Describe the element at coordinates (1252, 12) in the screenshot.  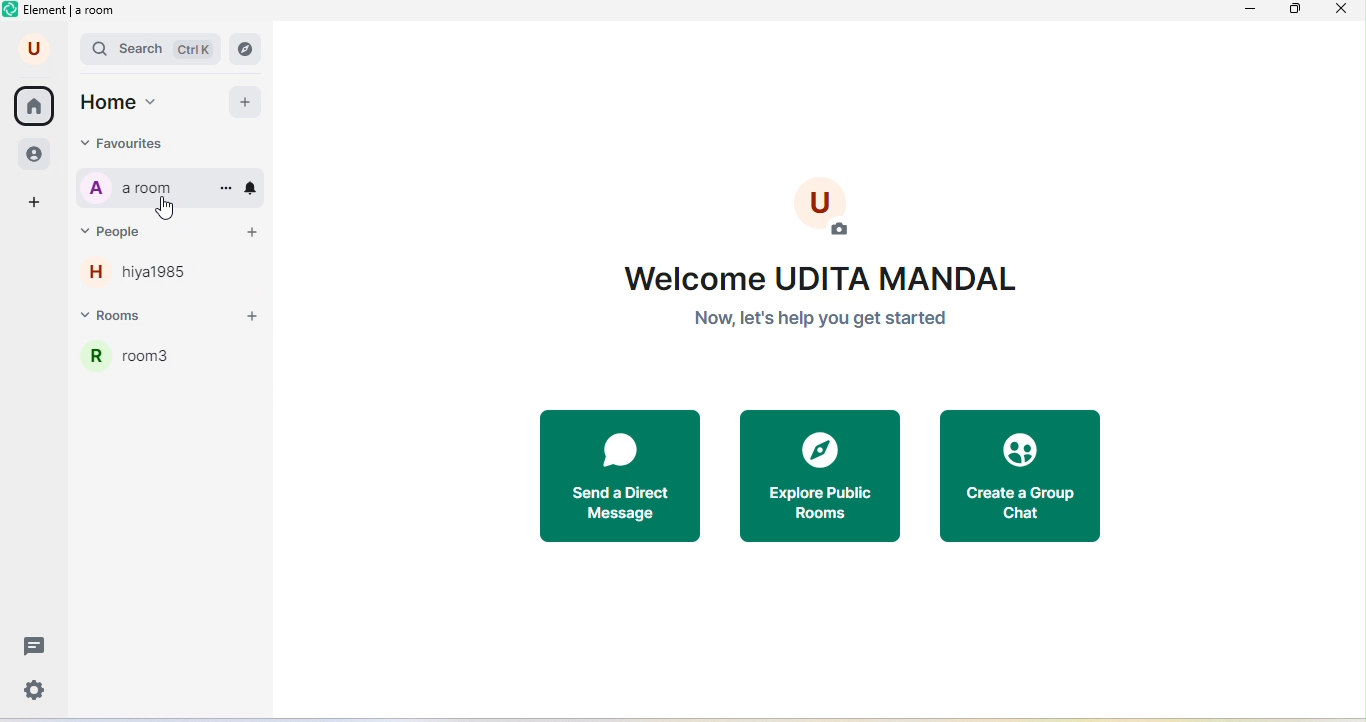
I see `minimize` at that location.